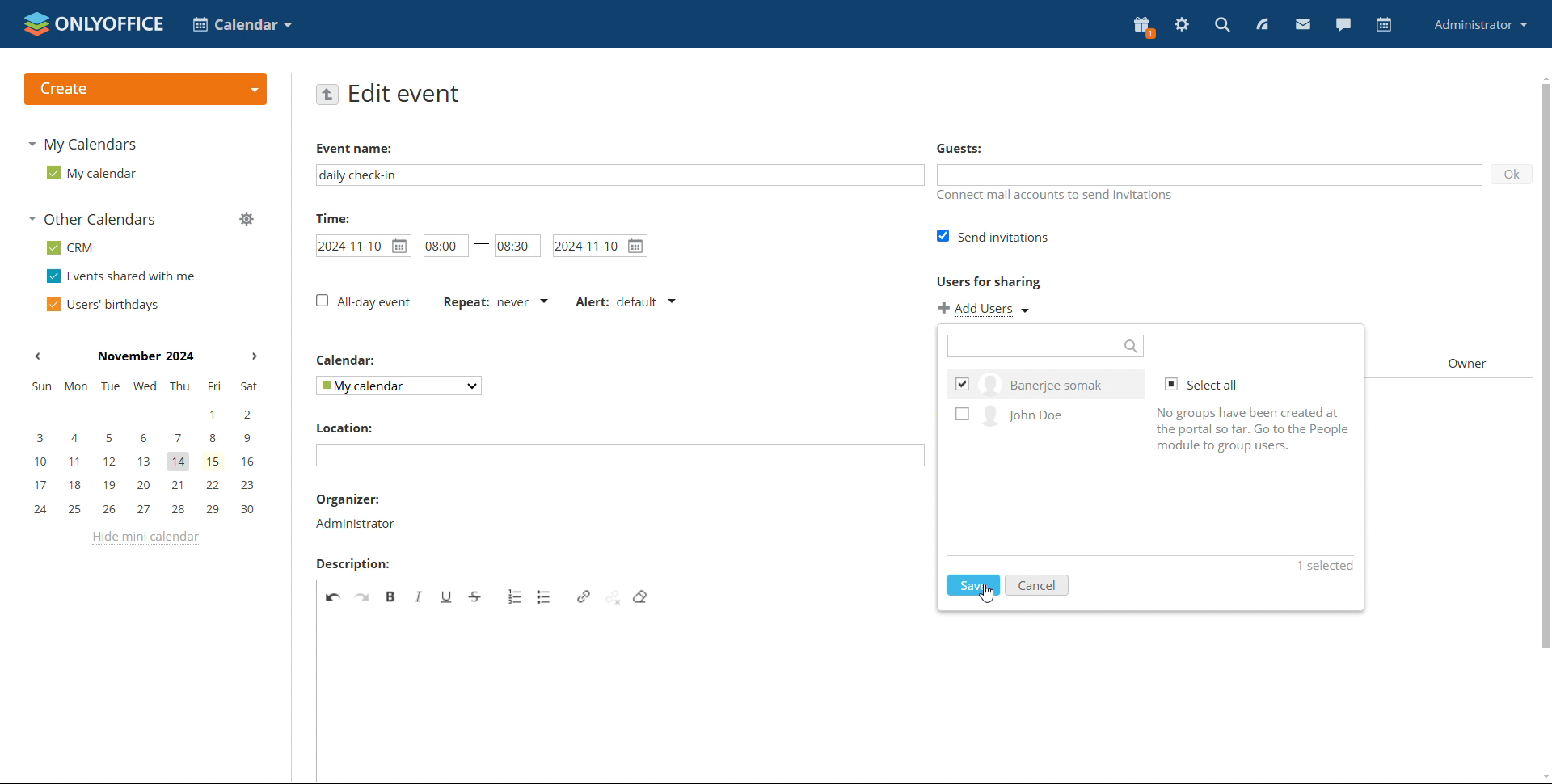 This screenshot has width=1552, height=784. I want to click on scroll down, so click(1542, 776).